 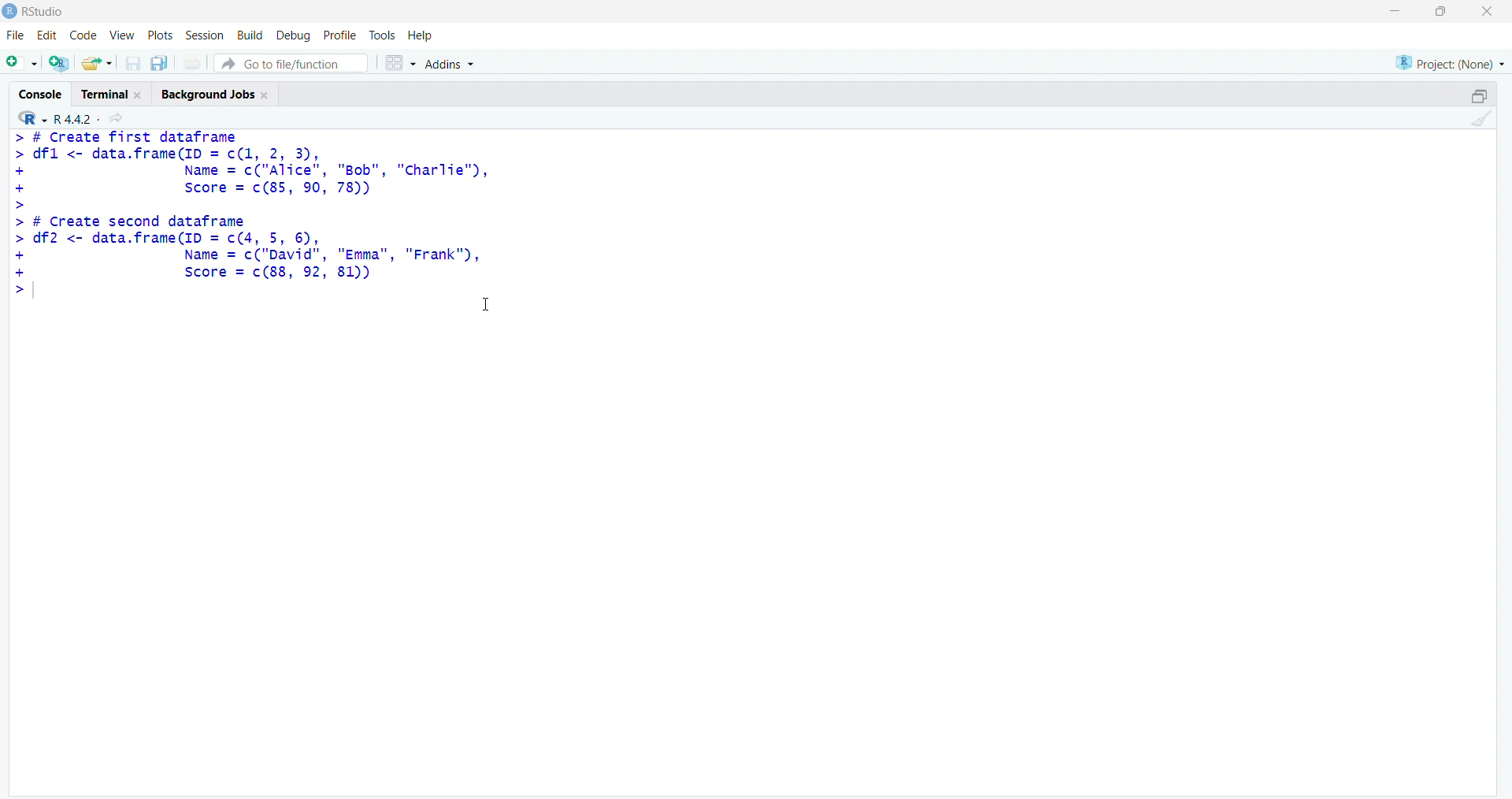 What do you see at coordinates (250, 35) in the screenshot?
I see `Build` at bounding box center [250, 35].